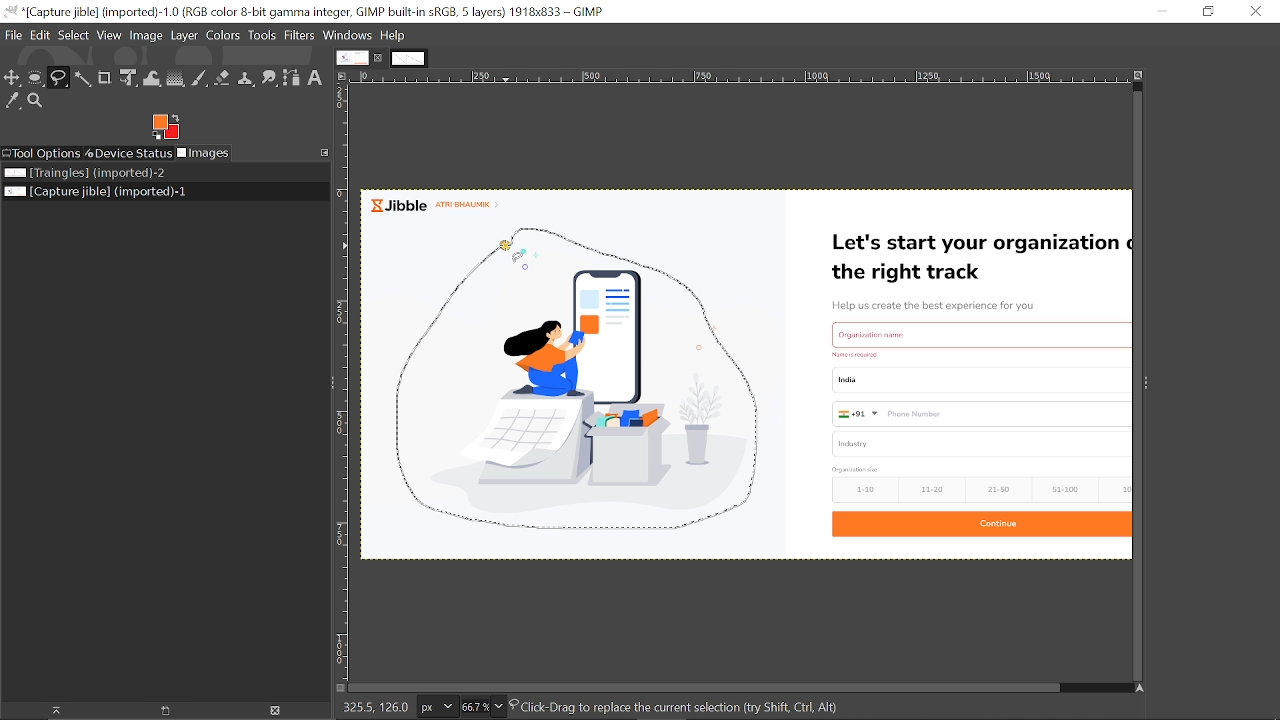  What do you see at coordinates (1161, 11) in the screenshot?
I see `Minimize` at bounding box center [1161, 11].